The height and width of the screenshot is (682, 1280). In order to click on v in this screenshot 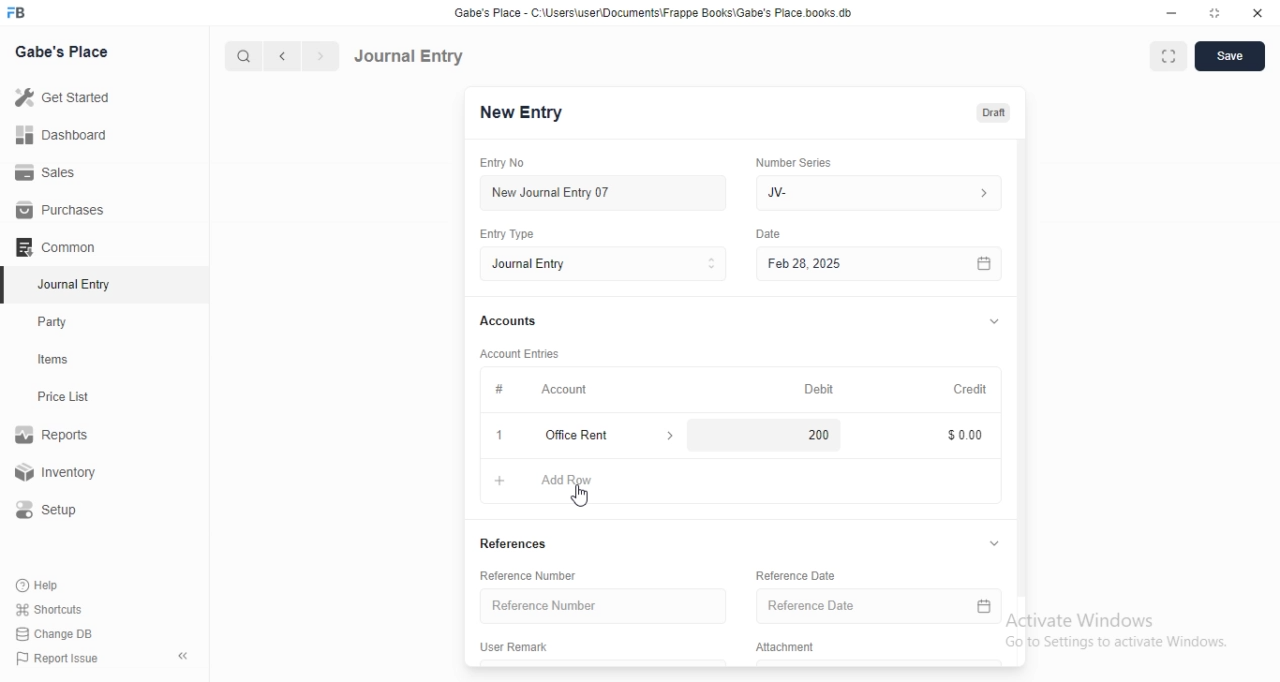, I will do `click(997, 542)`.